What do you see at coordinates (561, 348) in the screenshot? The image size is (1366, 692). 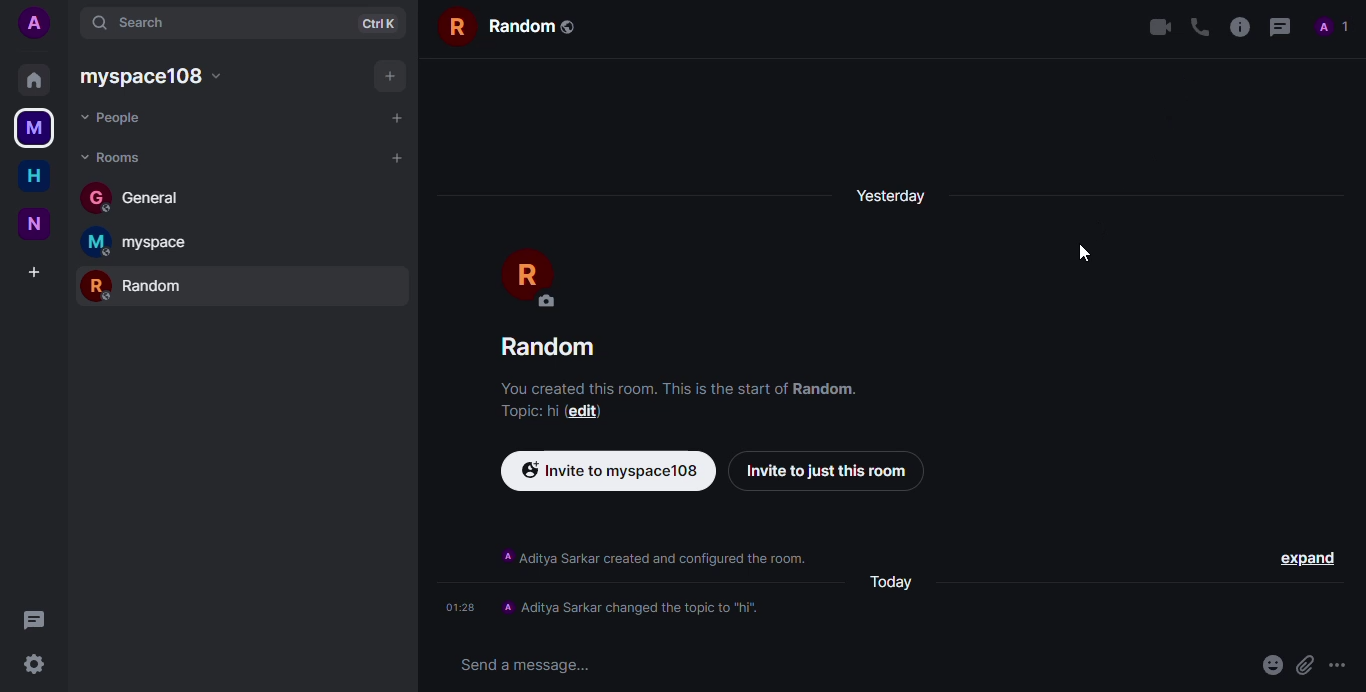 I see `random` at bounding box center [561, 348].